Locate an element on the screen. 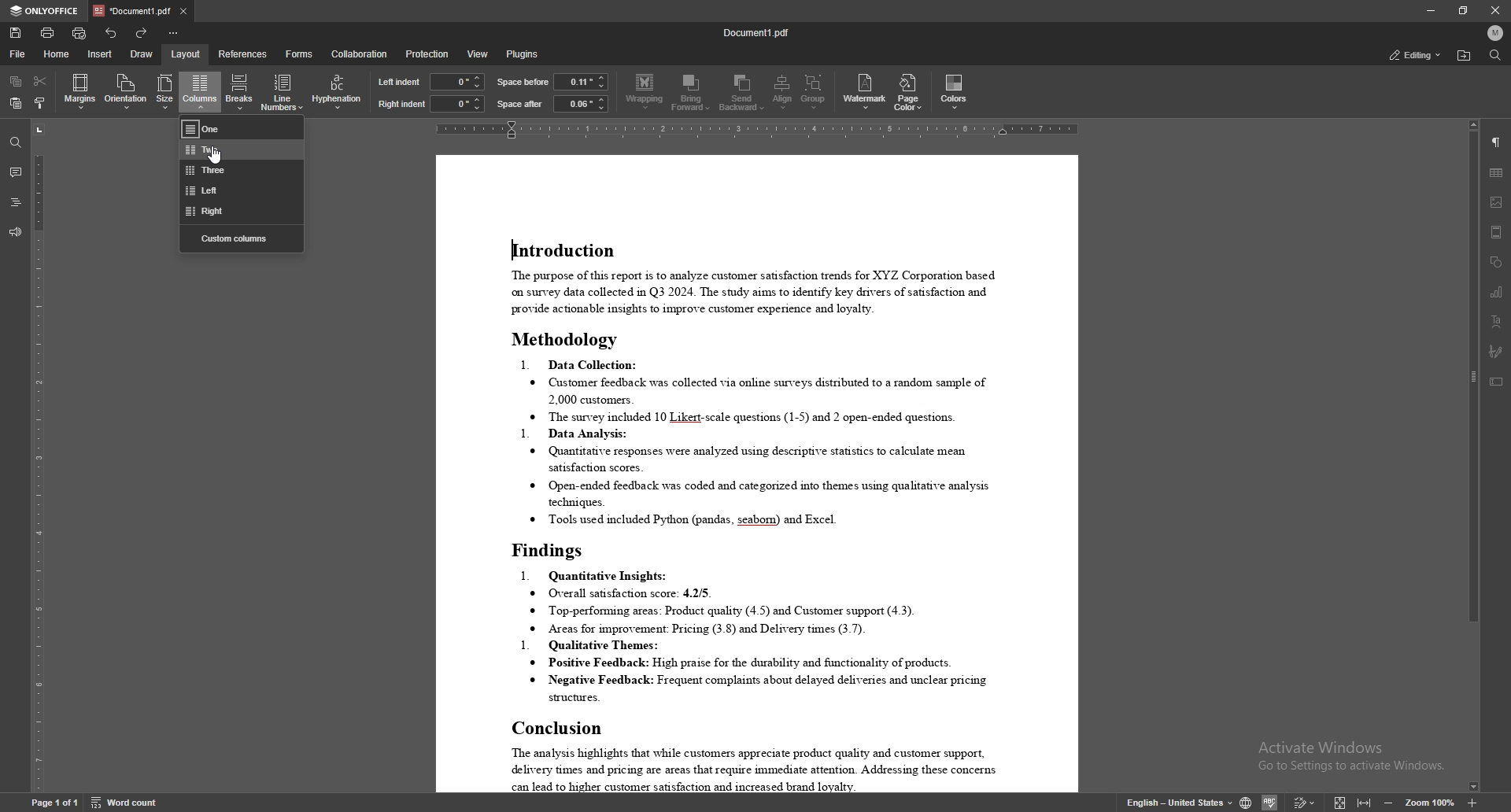 This screenshot has height=812, width=1511. send backward is located at coordinates (742, 93).